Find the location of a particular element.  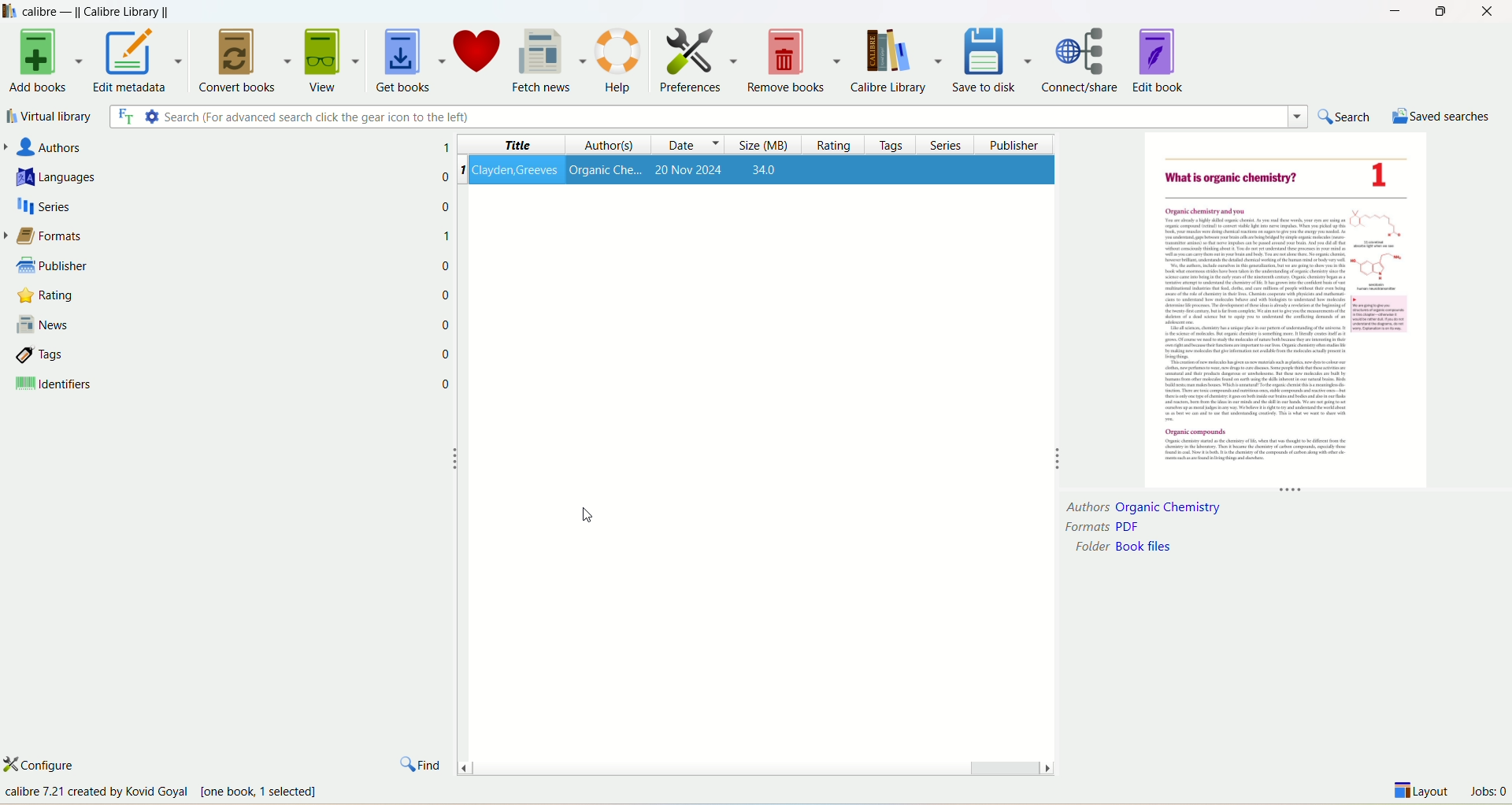

configure is located at coordinates (53, 765).